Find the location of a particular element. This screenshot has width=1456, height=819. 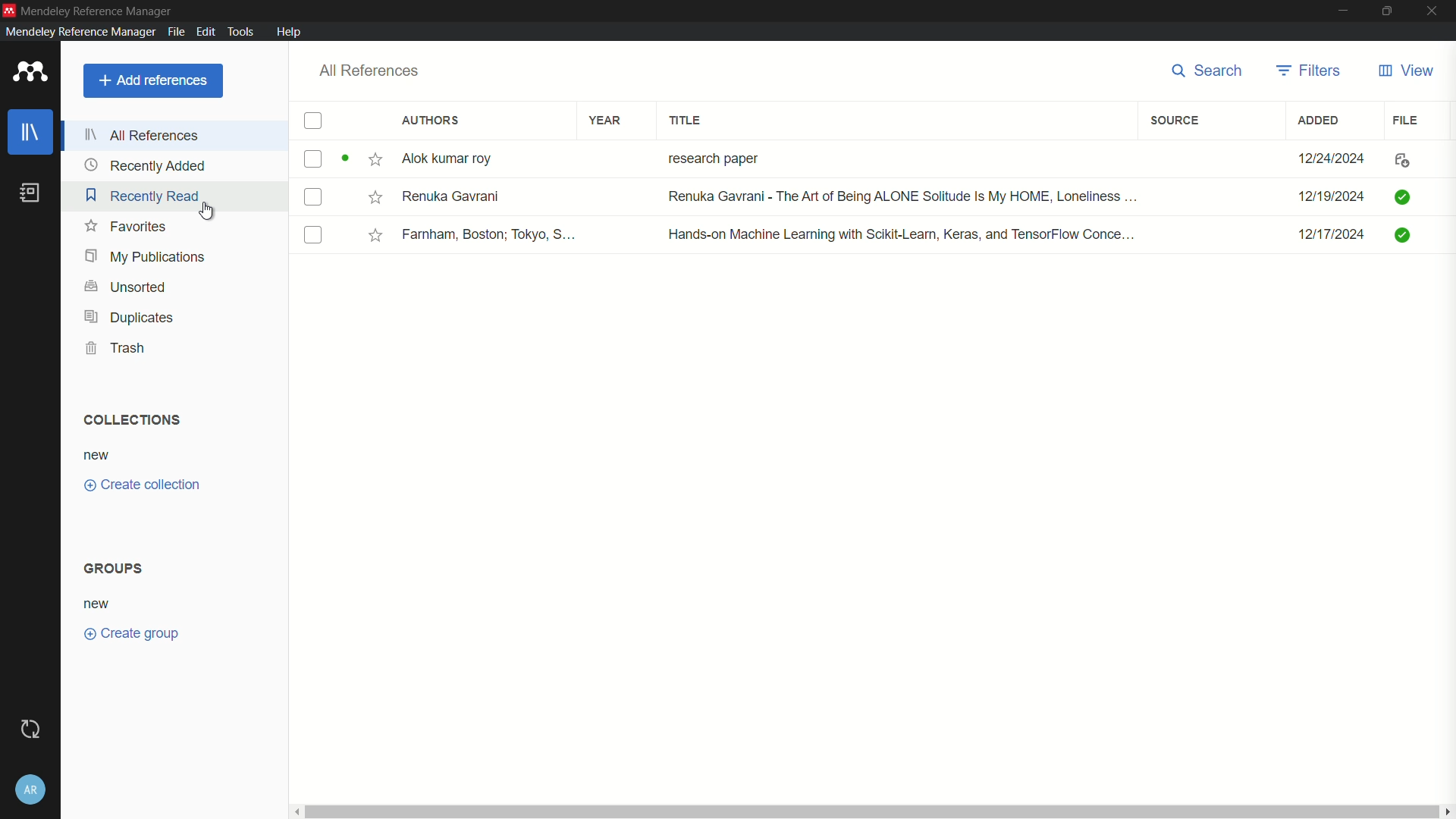

search is located at coordinates (1210, 71).